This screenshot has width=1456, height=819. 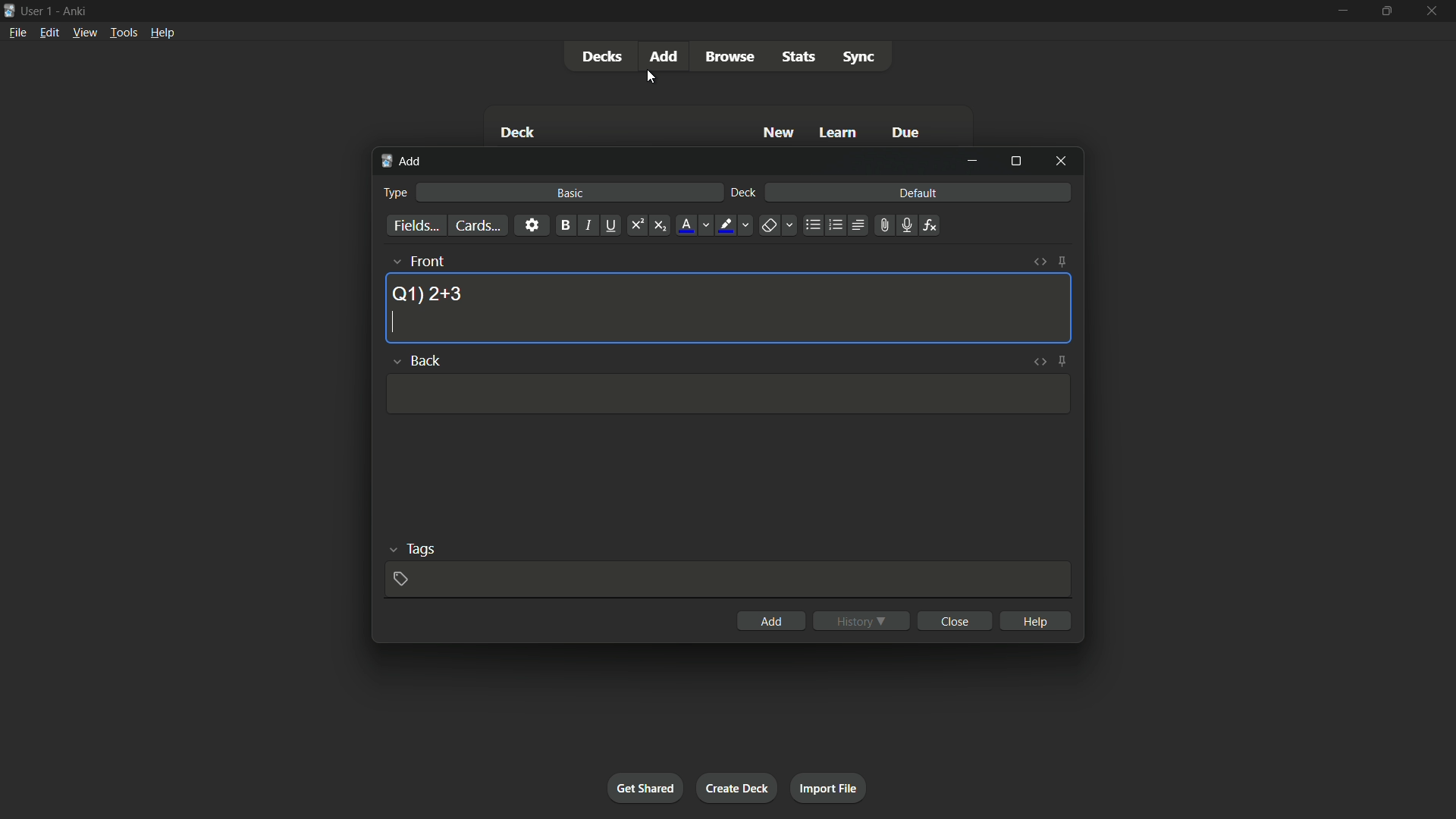 I want to click on alignment, so click(x=857, y=226).